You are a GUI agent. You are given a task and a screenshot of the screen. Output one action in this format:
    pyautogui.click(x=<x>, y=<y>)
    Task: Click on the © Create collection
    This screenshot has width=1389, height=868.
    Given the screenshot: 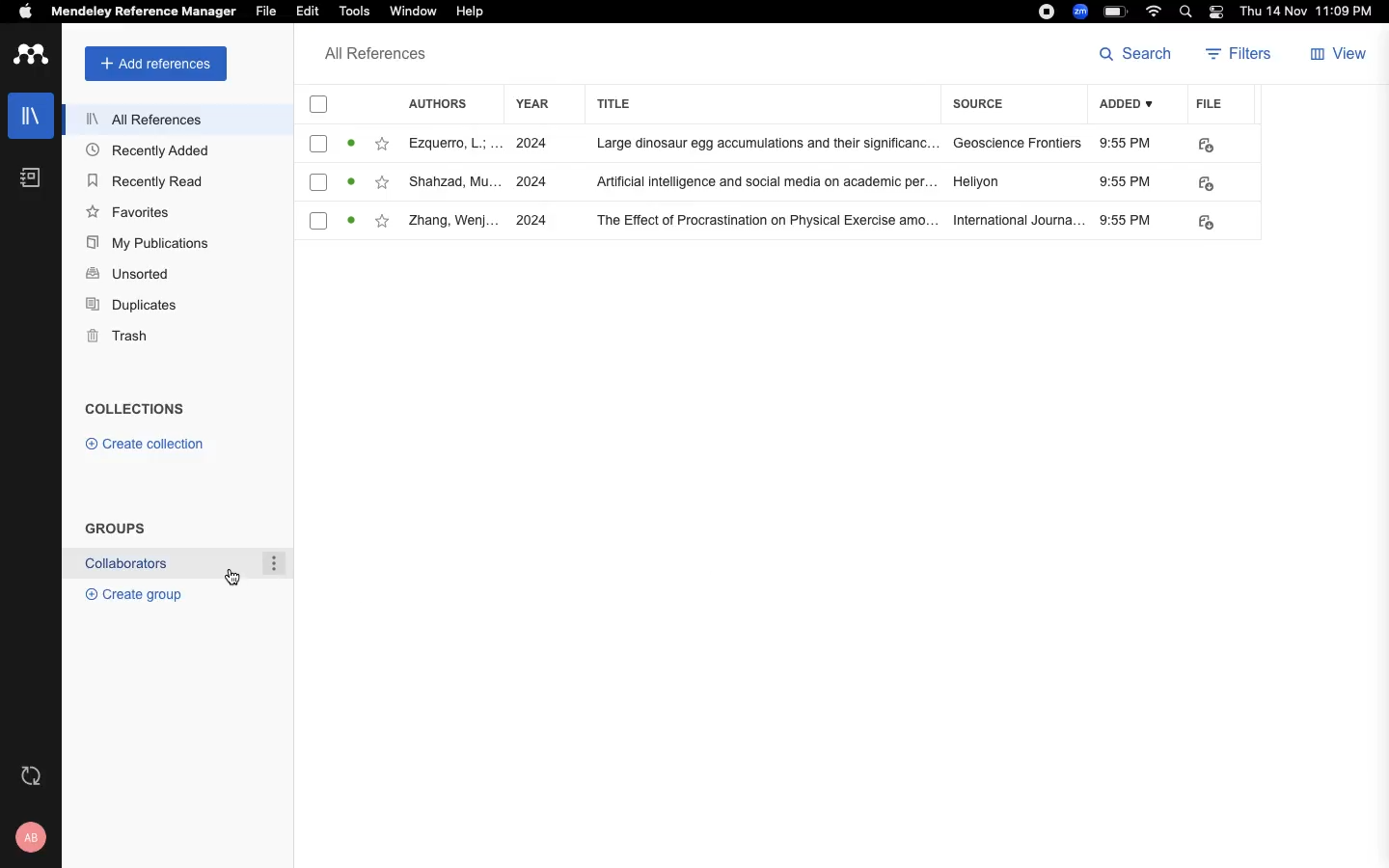 What is the action you would take?
    pyautogui.click(x=146, y=448)
    